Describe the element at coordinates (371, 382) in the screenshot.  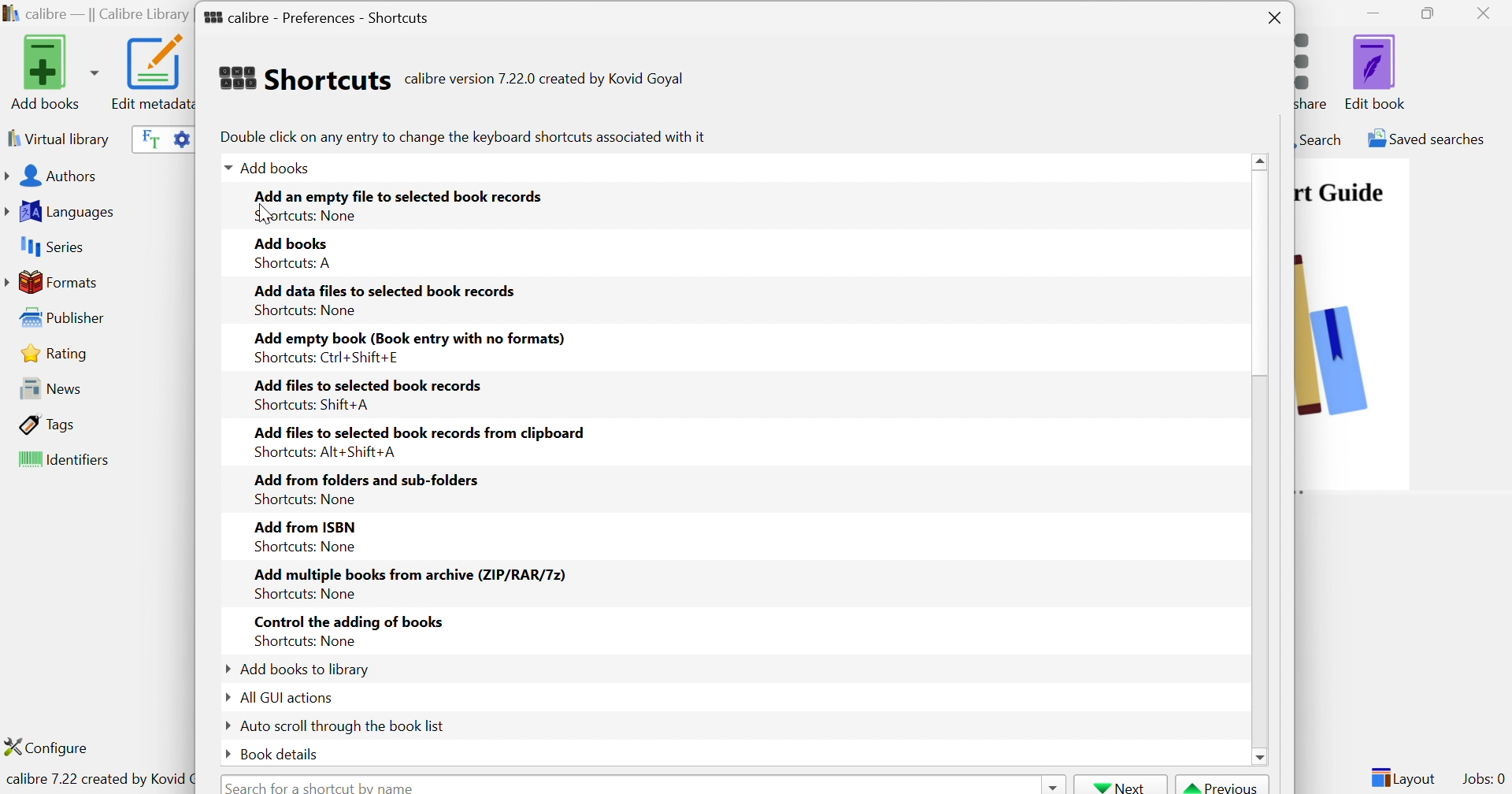
I see `Add files to selected book records` at that location.